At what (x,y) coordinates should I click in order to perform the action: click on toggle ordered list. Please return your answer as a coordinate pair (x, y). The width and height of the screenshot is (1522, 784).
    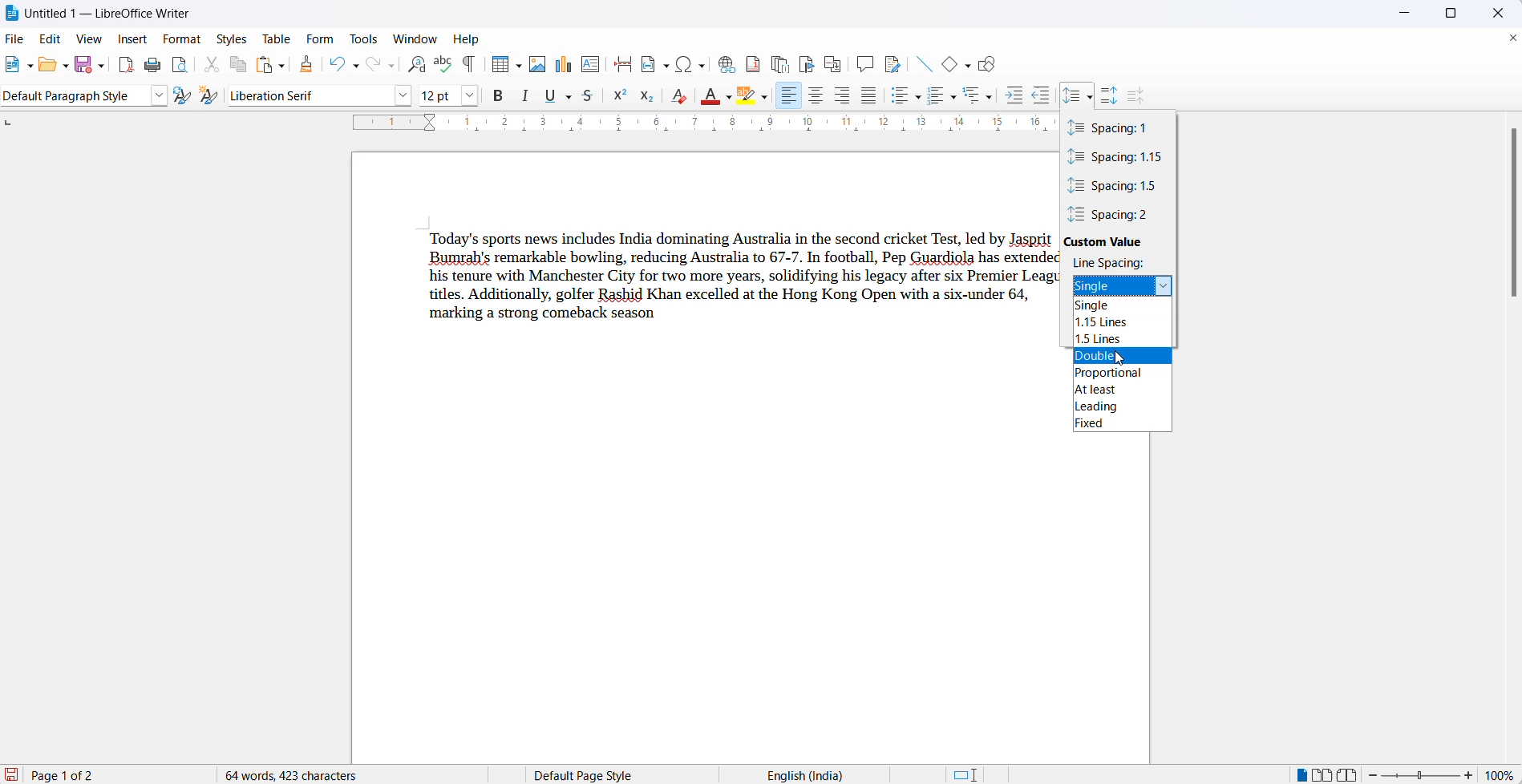
    Looking at the image, I should click on (953, 98).